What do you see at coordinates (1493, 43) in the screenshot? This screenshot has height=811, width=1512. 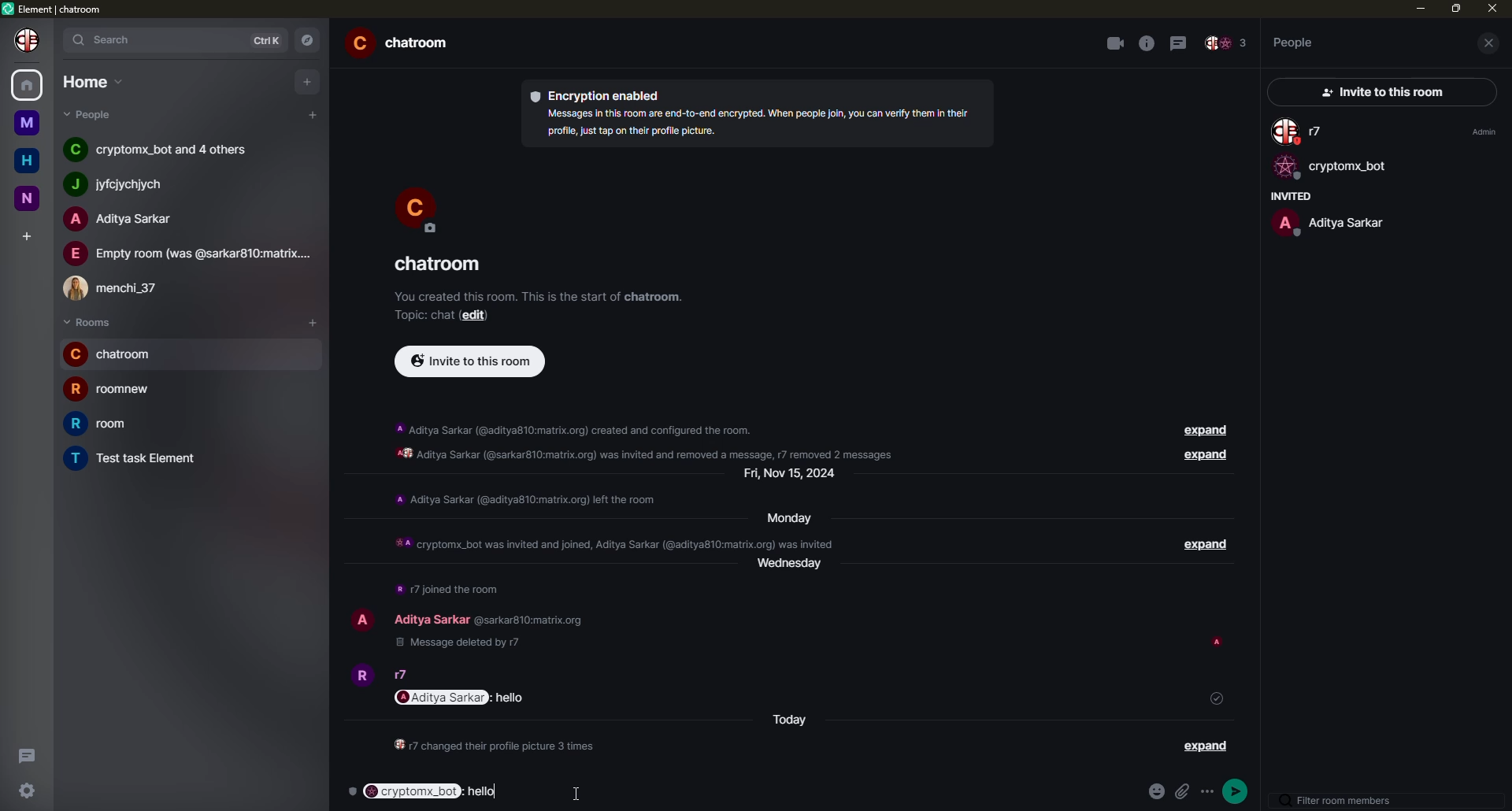 I see `close` at bounding box center [1493, 43].